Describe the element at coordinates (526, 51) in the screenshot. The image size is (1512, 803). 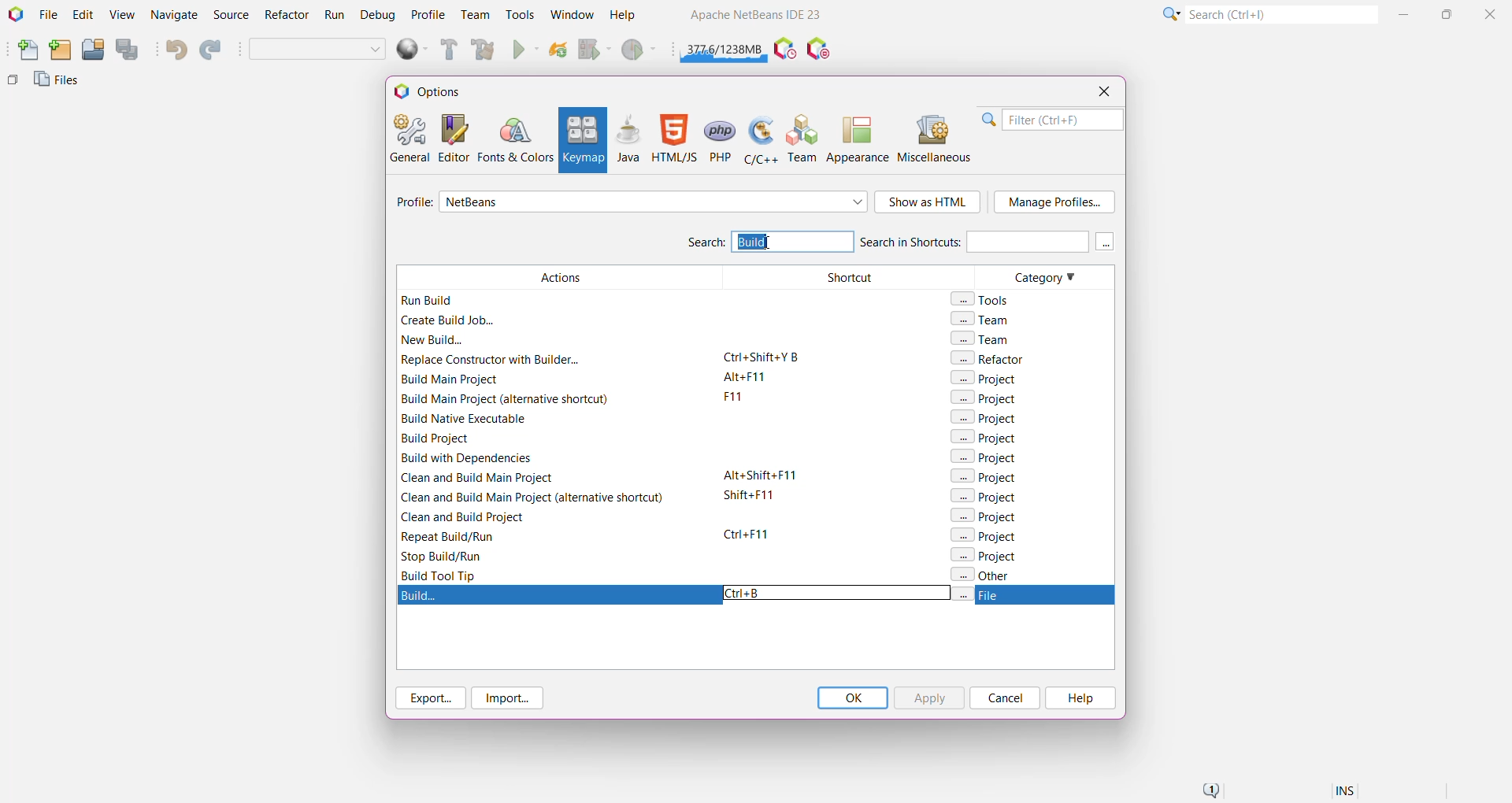
I see `Run` at that location.